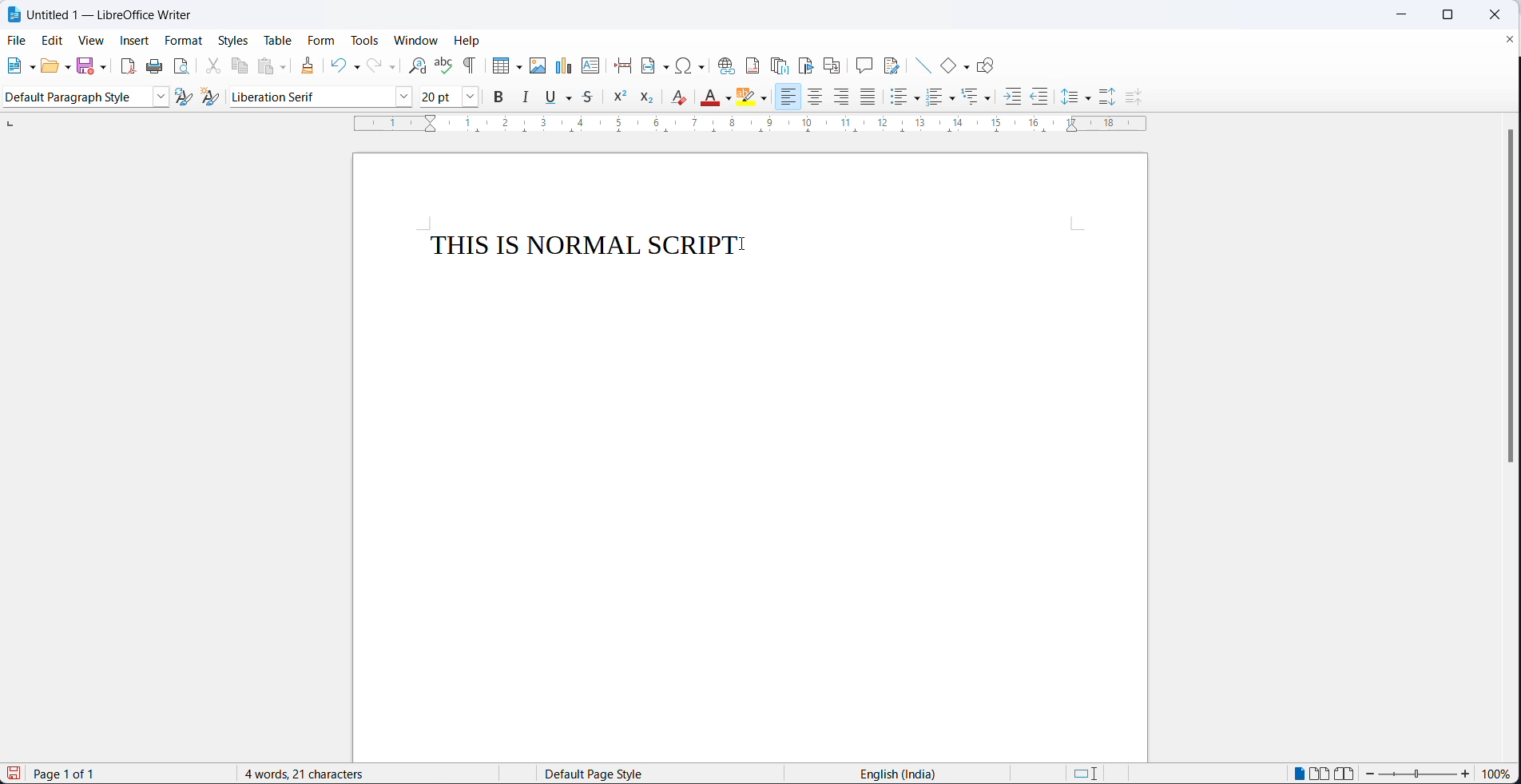 This screenshot has width=1521, height=784. Describe the element at coordinates (1301, 773) in the screenshot. I see `single page view` at that location.